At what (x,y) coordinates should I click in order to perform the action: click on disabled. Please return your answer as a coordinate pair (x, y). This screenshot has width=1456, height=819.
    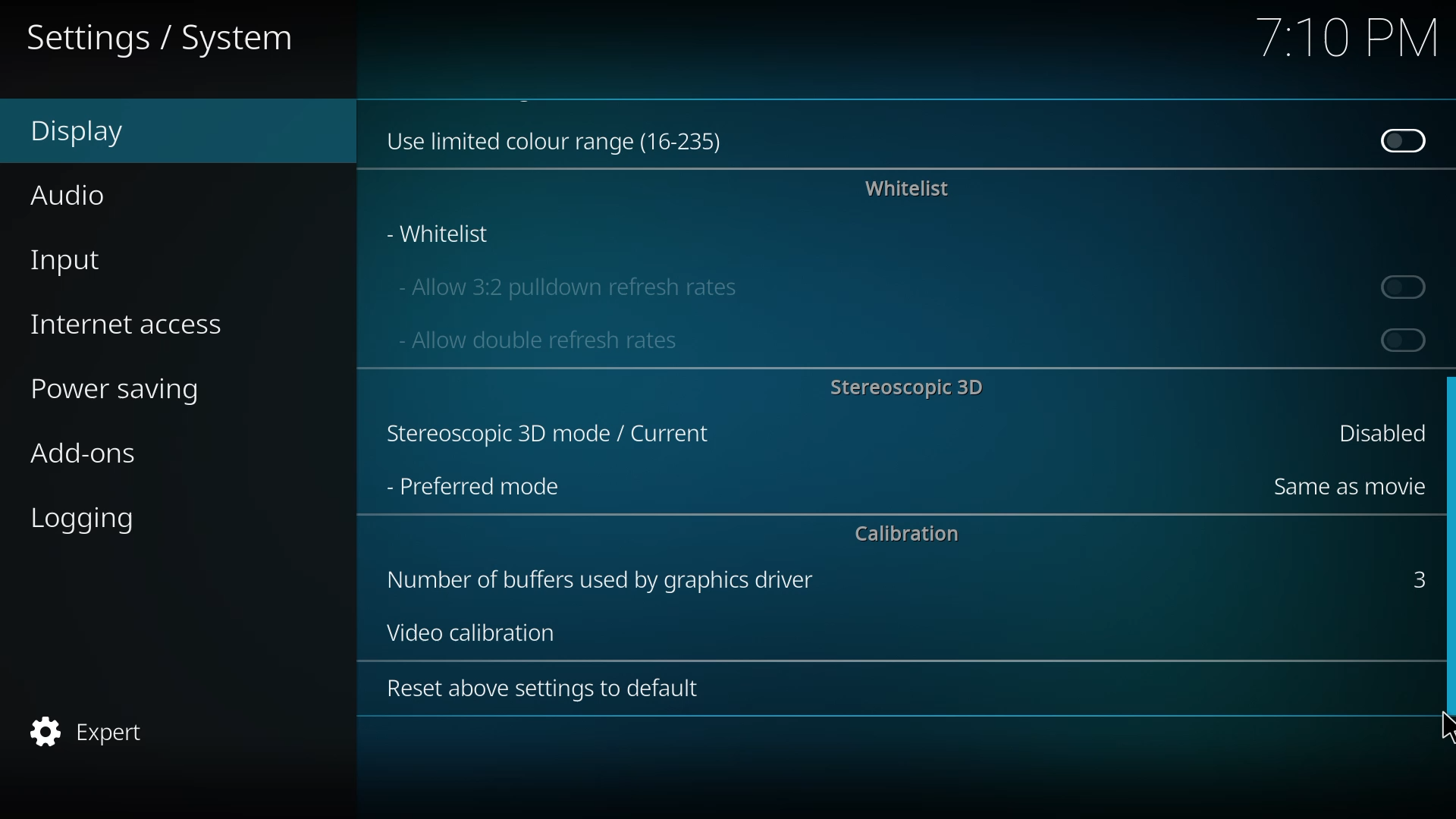
    Looking at the image, I should click on (1373, 431).